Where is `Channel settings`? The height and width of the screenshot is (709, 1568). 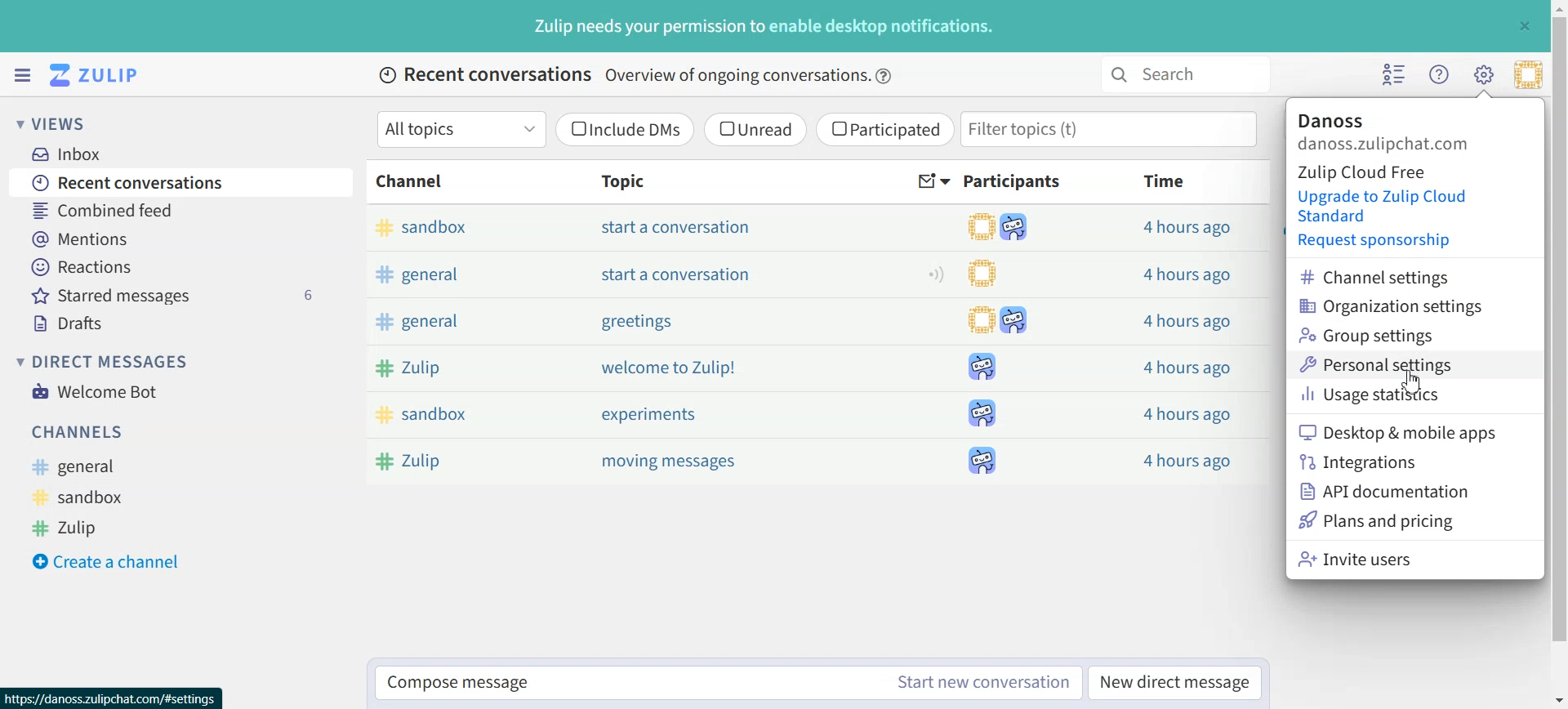
Channel settings is located at coordinates (1392, 275).